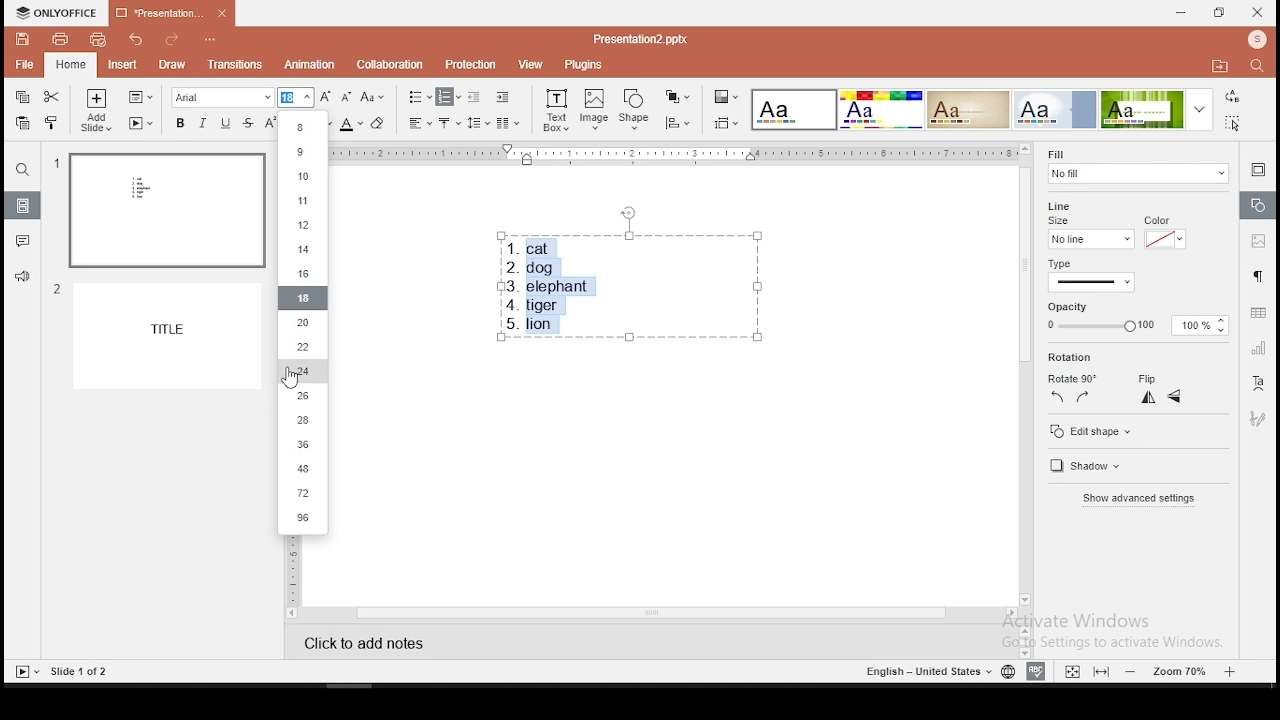  What do you see at coordinates (1083, 465) in the screenshot?
I see `shadow` at bounding box center [1083, 465].